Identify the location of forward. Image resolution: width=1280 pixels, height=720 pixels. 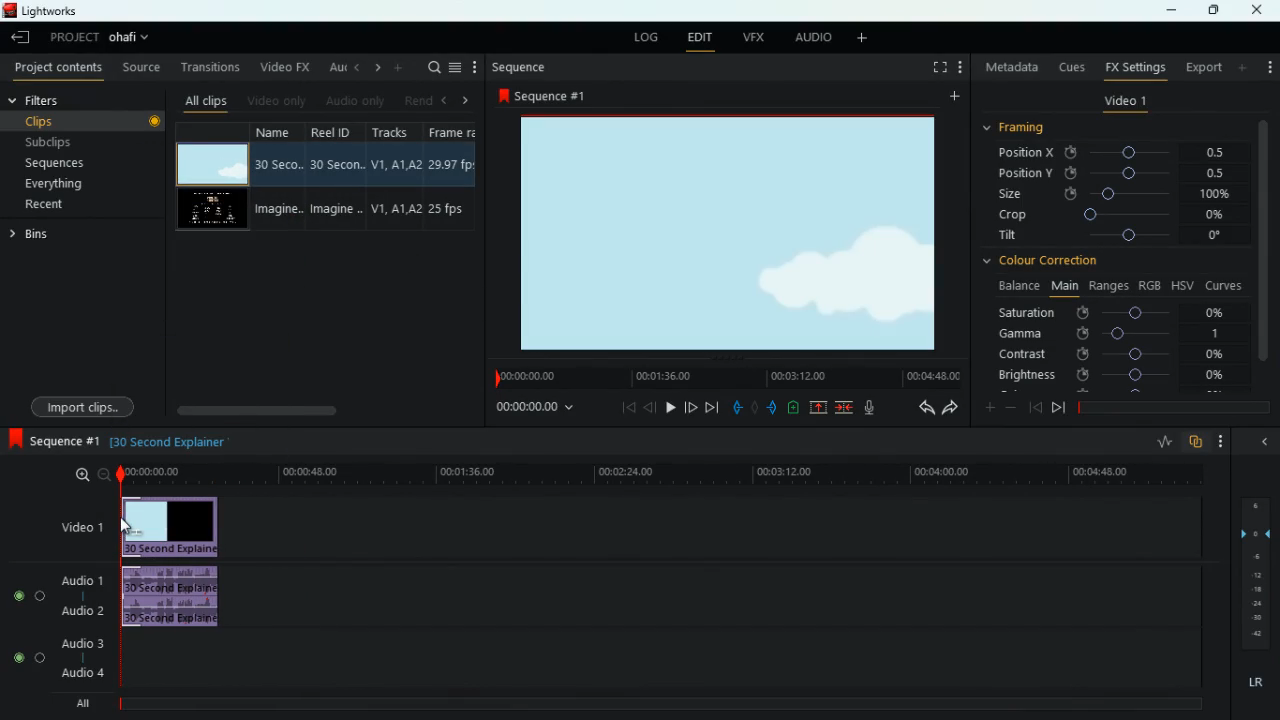
(950, 408).